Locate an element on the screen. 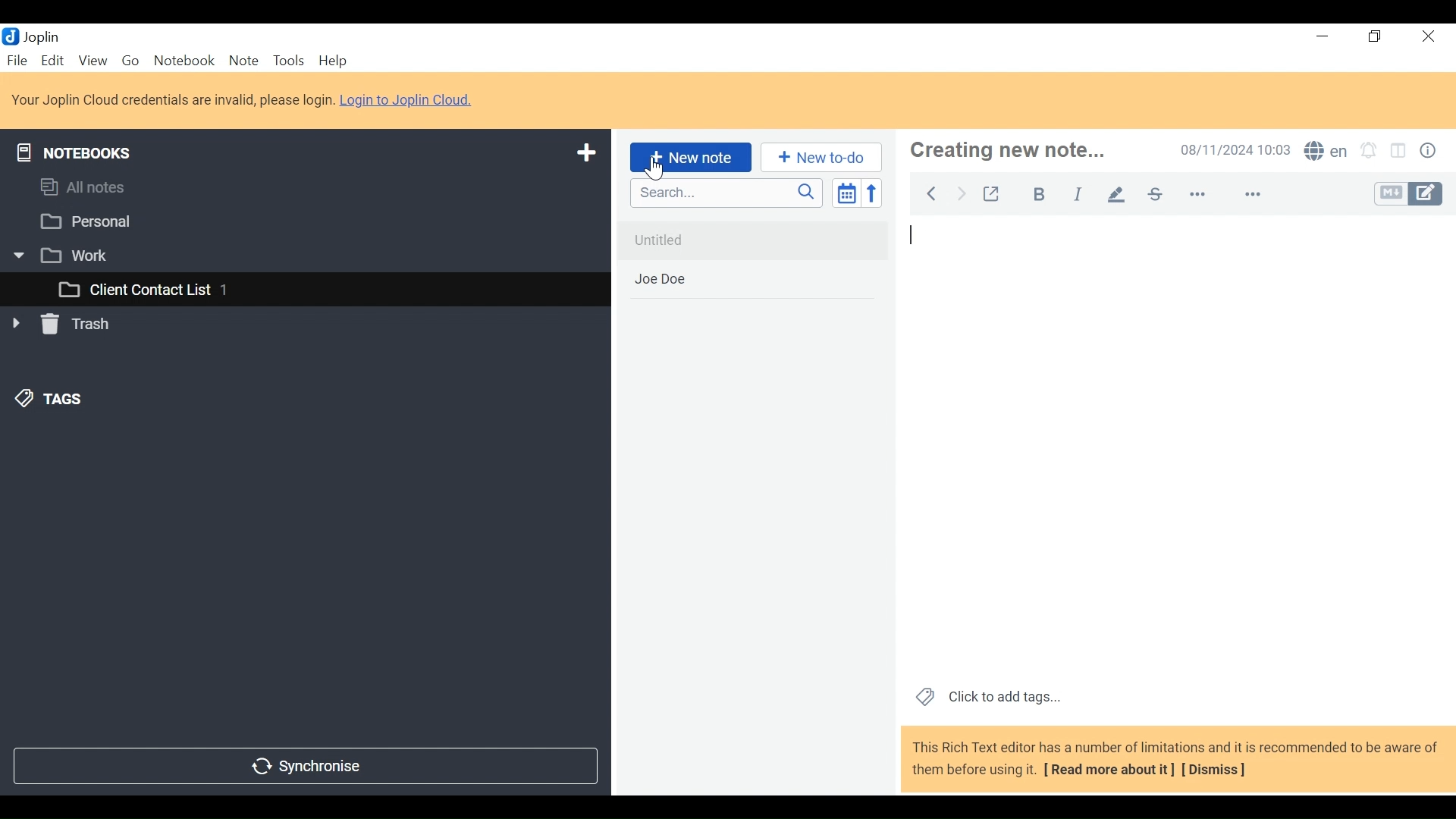 Image resolution: width=1456 pixels, height=819 pixels. Add a notebook is located at coordinates (584, 153).